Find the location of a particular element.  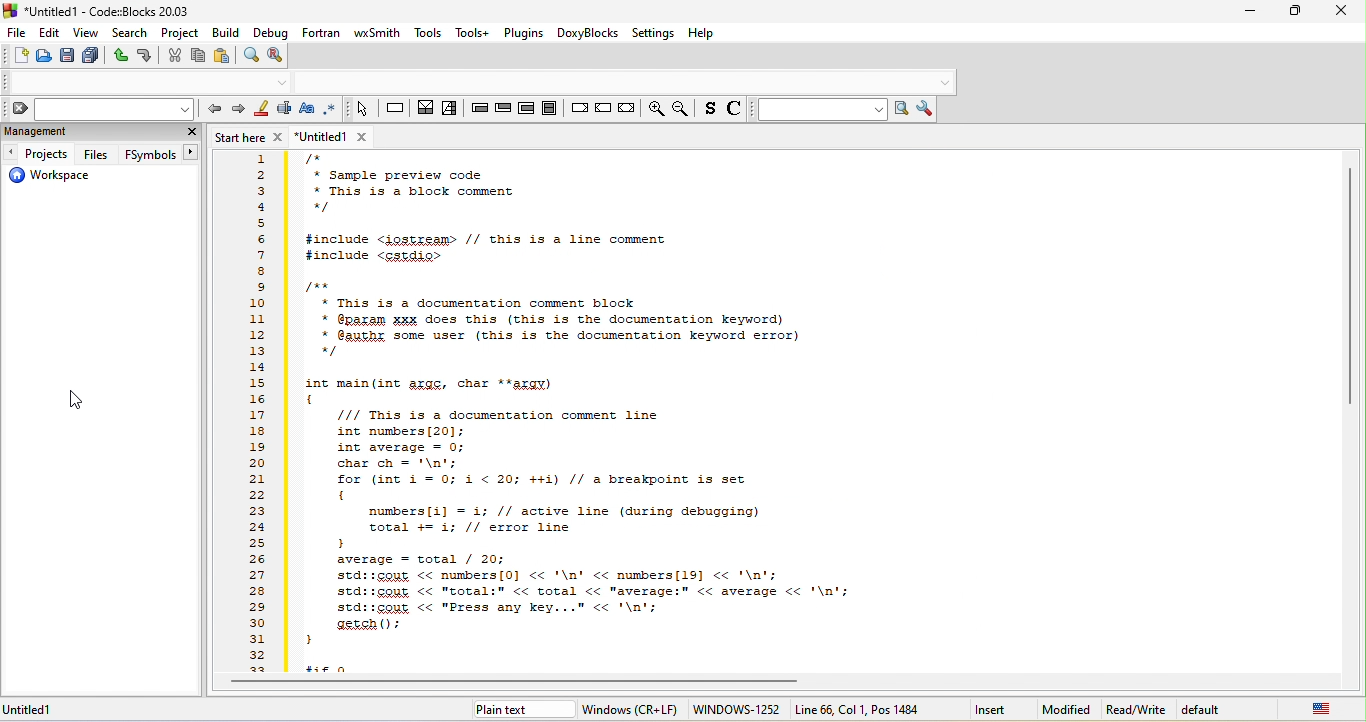

doxyblocks is located at coordinates (589, 34).